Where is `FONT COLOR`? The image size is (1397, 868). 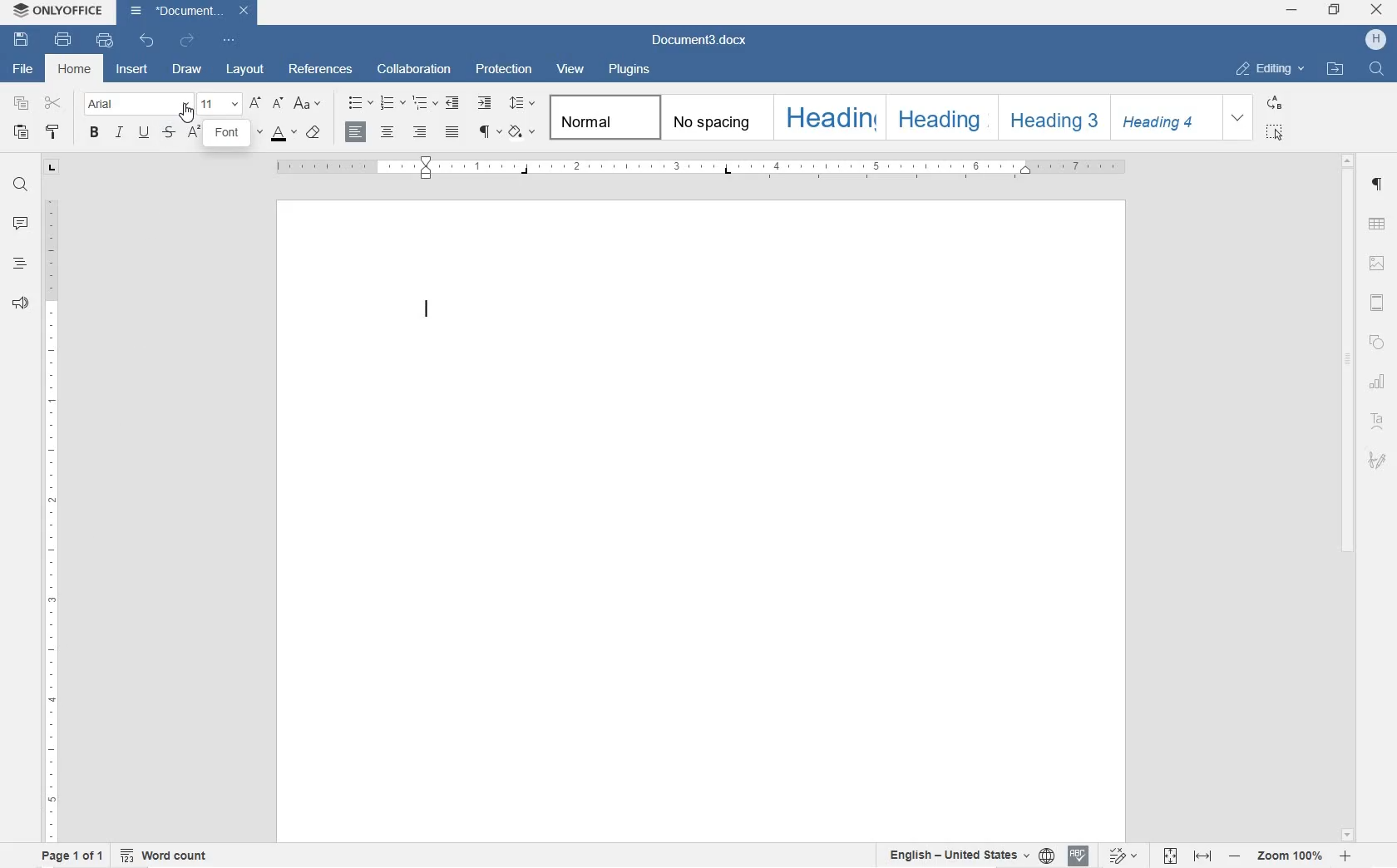
FONT COLOR is located at coordinates (285, 133).